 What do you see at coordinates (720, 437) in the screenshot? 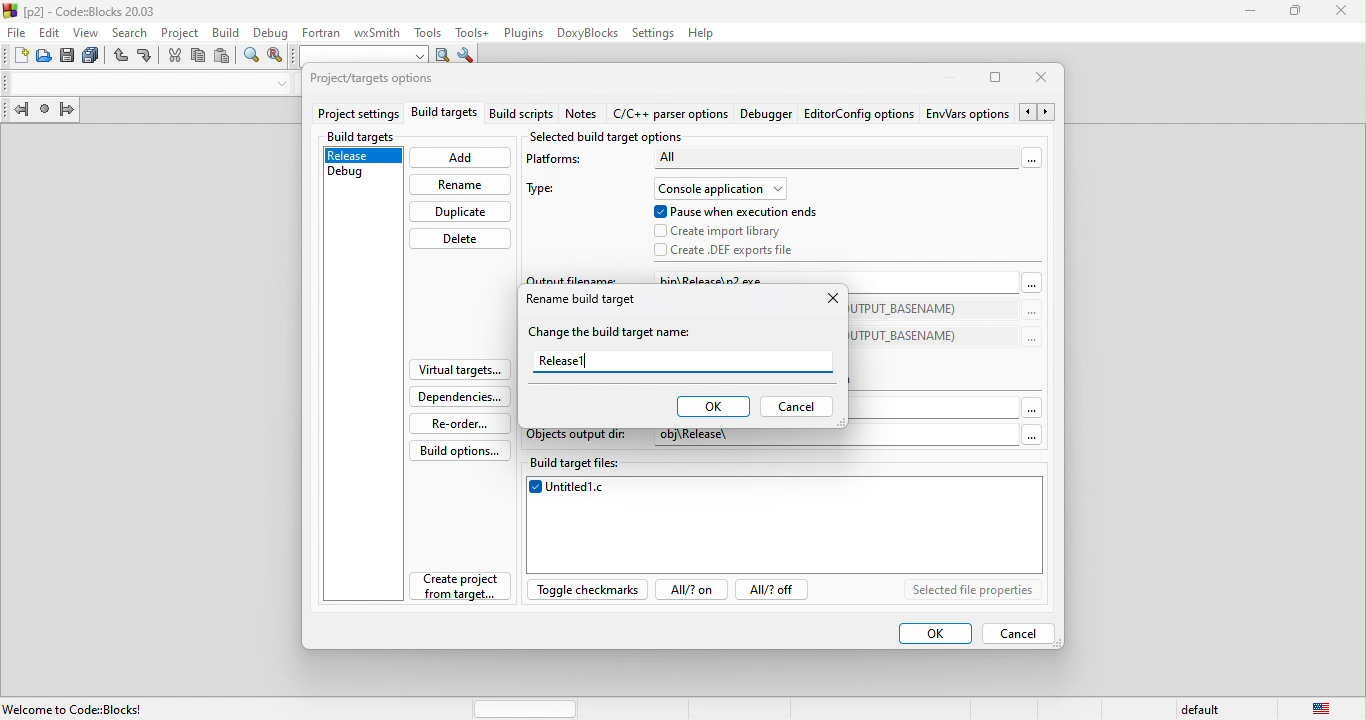
I see `ir obj\Release\` at bounding box center [720, 437].